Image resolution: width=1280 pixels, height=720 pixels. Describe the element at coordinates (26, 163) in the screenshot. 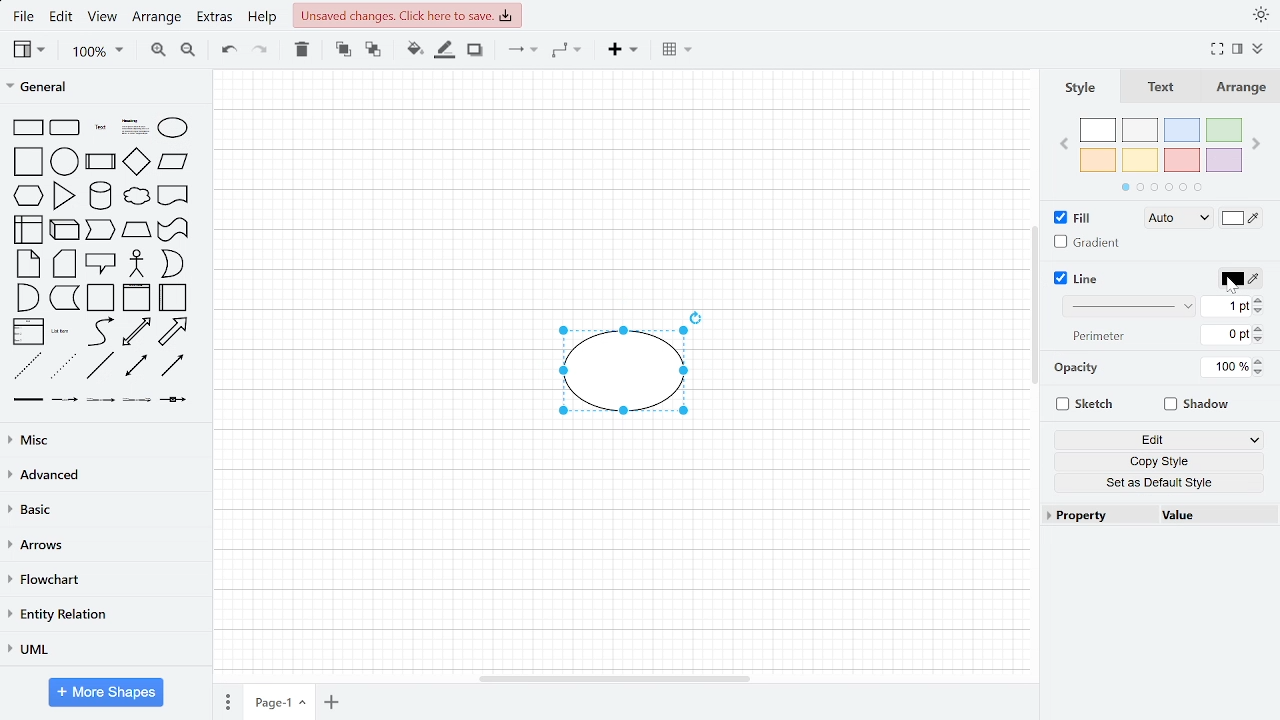

I see `square` at that location.